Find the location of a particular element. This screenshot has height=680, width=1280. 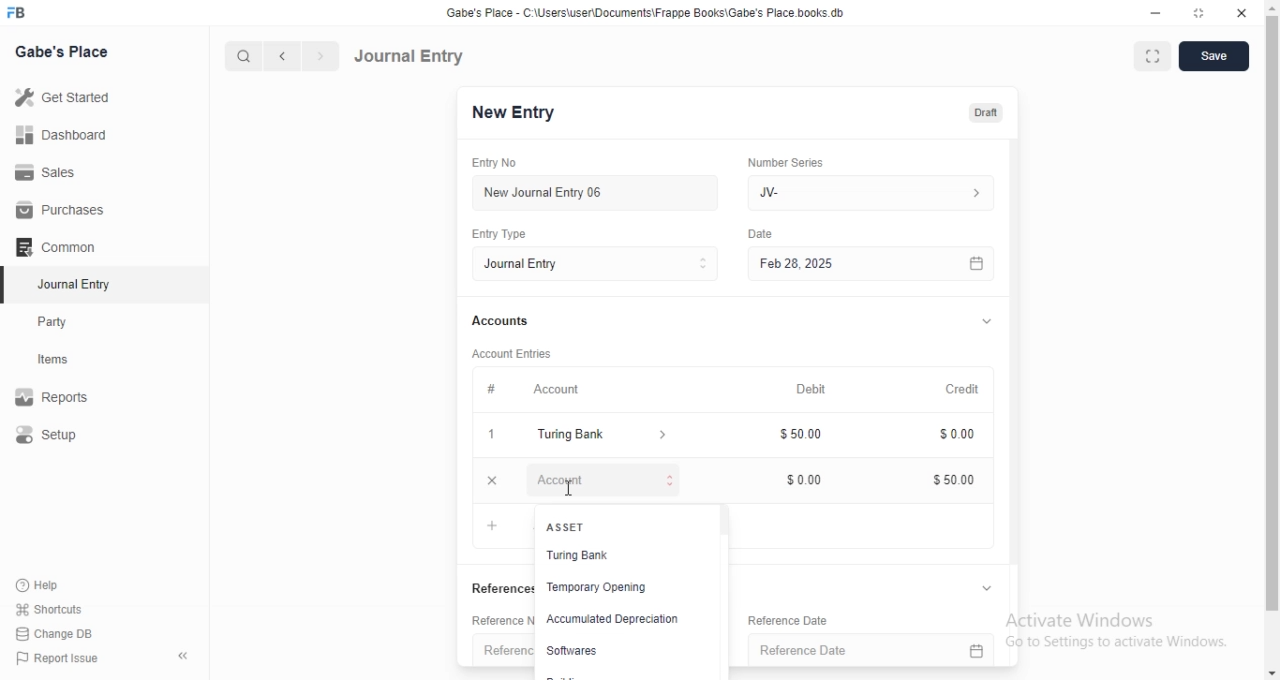

‘Number Series is located at coordinates (794, 160).